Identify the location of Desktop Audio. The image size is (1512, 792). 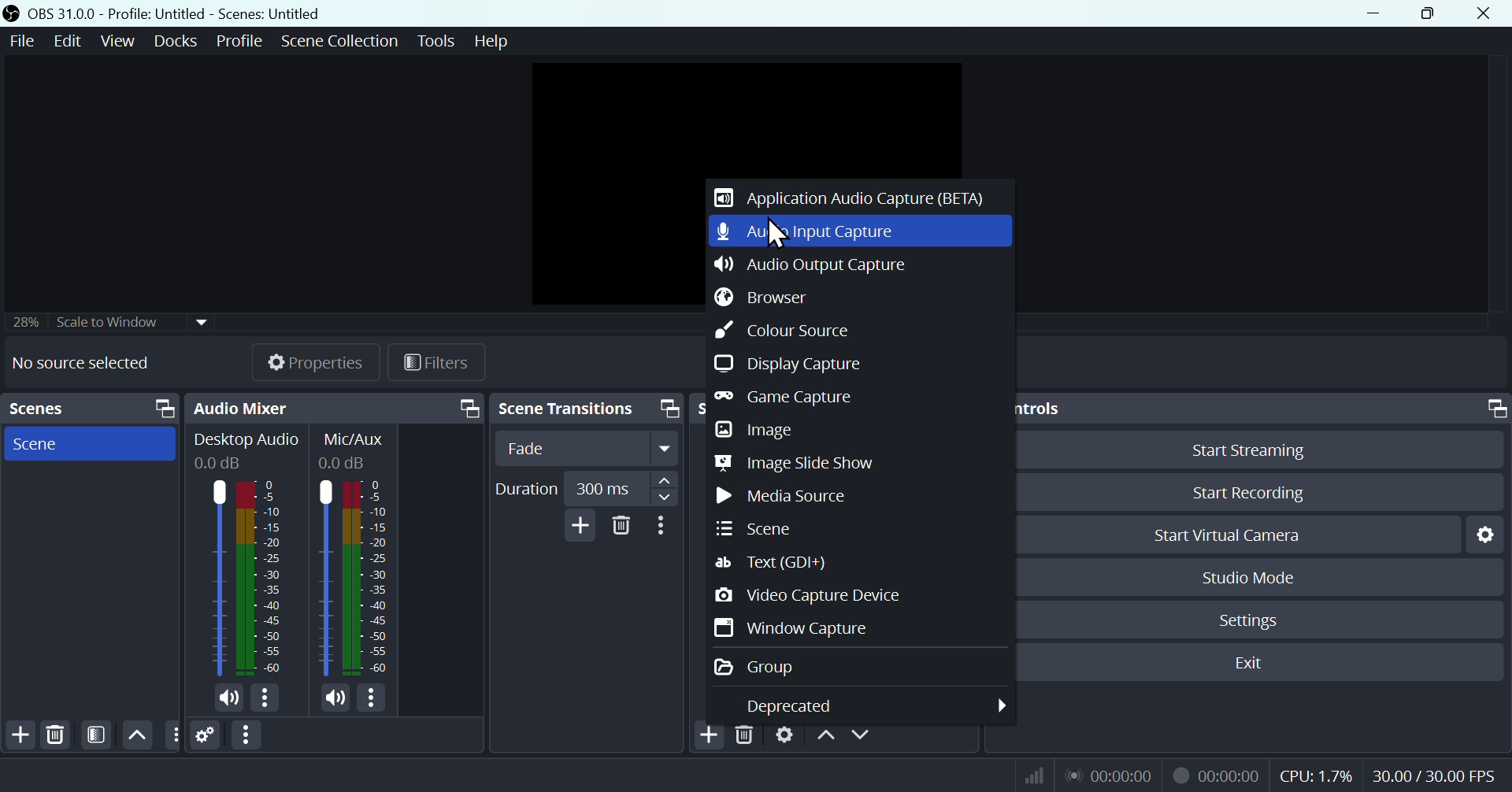
(215, 579).